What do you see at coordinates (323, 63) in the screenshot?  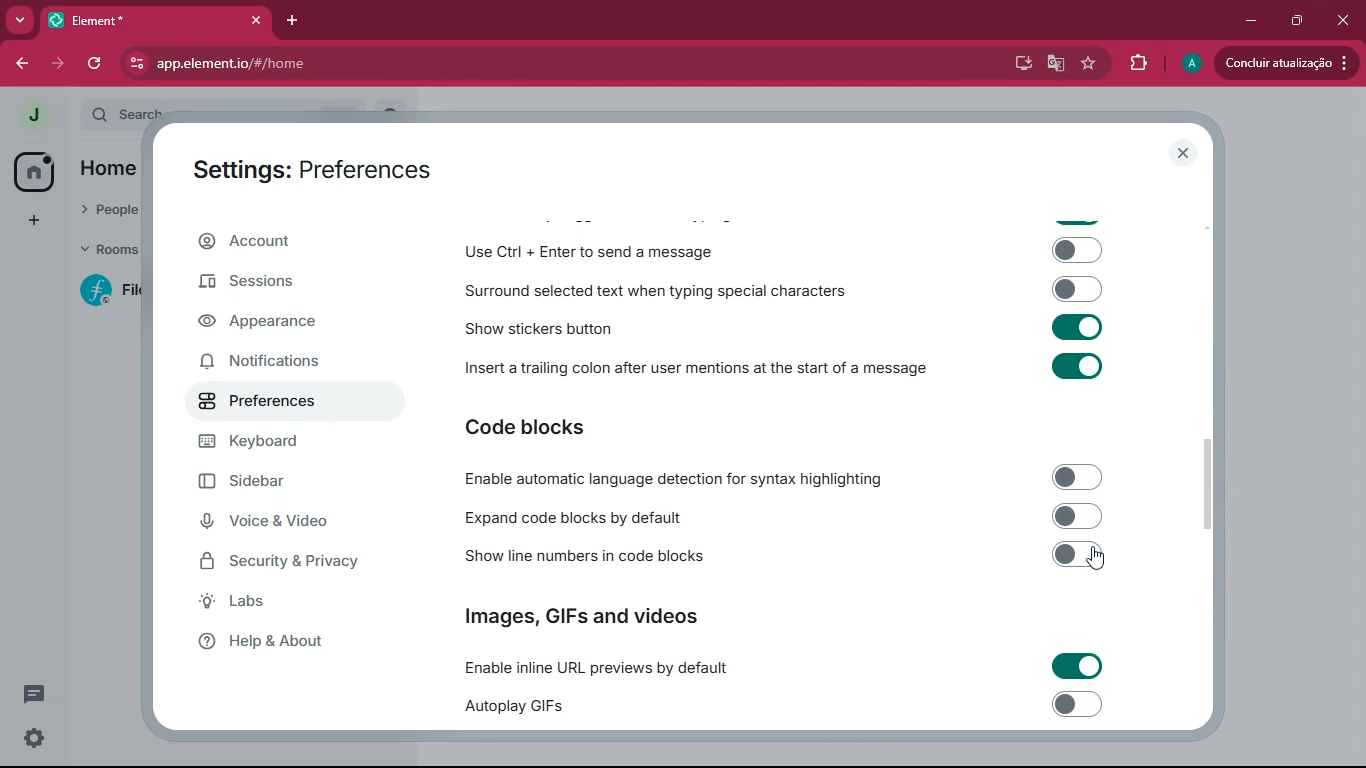 I see `app.element.io/#/home` at bounding box center [323, 63].